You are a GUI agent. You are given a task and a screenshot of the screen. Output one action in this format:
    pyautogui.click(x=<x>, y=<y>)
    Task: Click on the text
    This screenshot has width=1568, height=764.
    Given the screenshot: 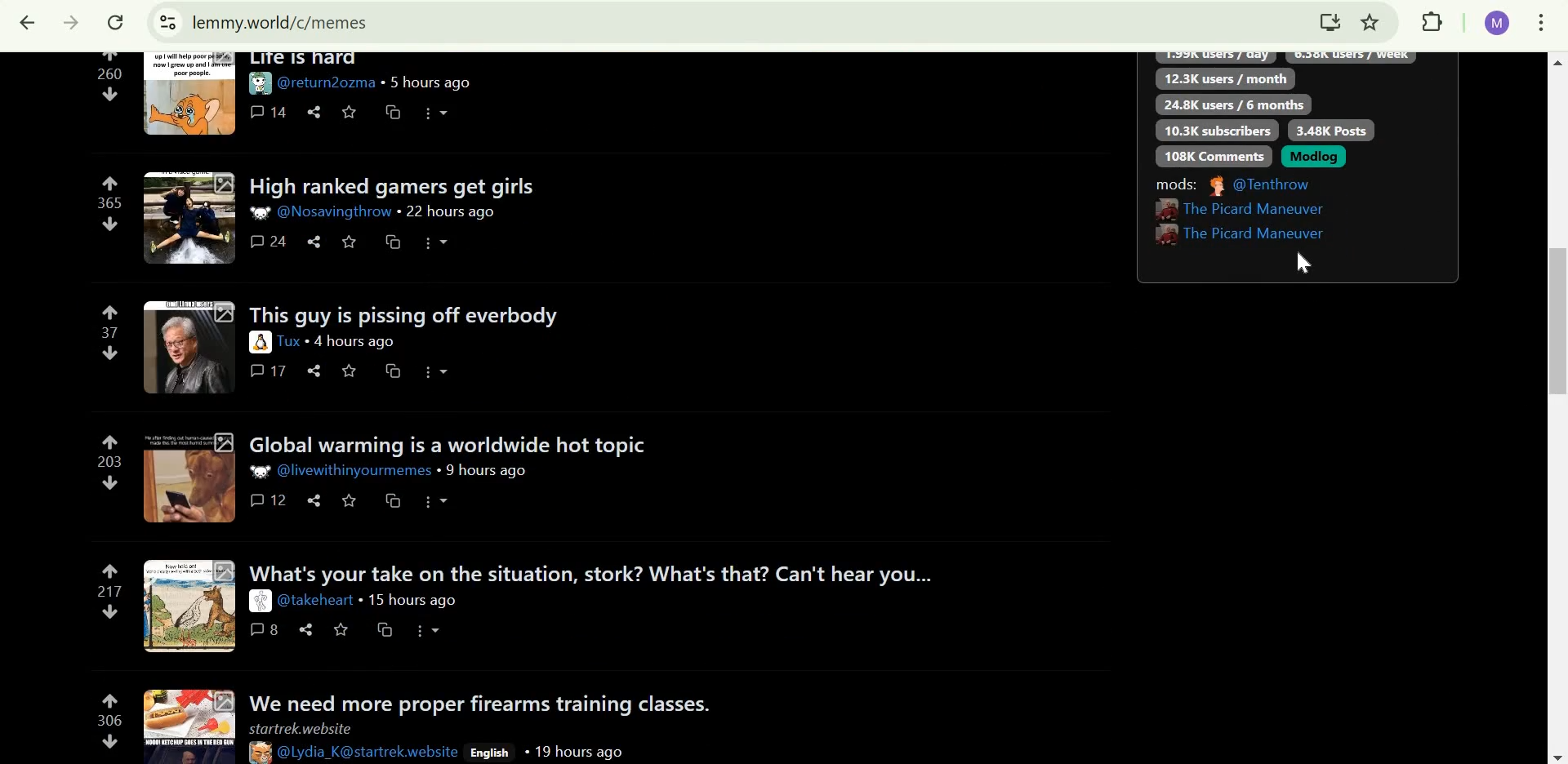 What is the action you would take?
    pyautogui.click(x=1282, y=59)
    